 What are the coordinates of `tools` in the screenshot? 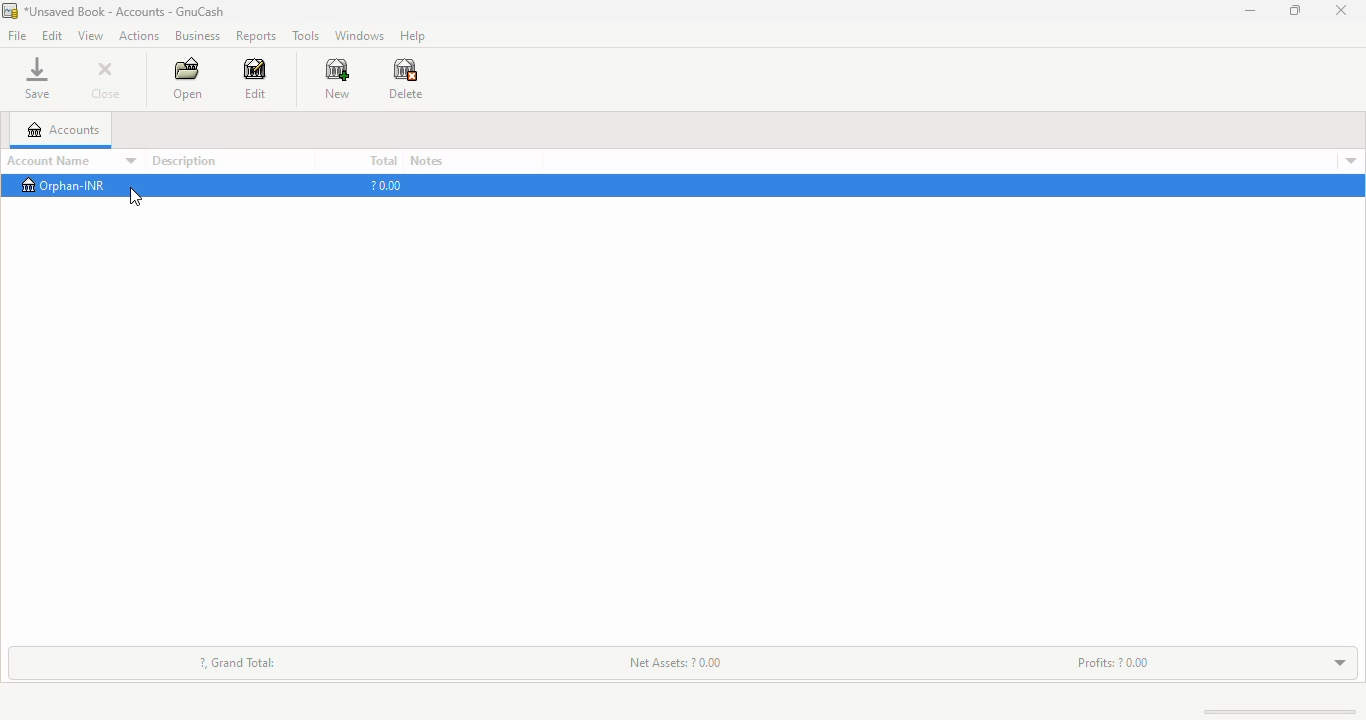 It's located at (306, 37).